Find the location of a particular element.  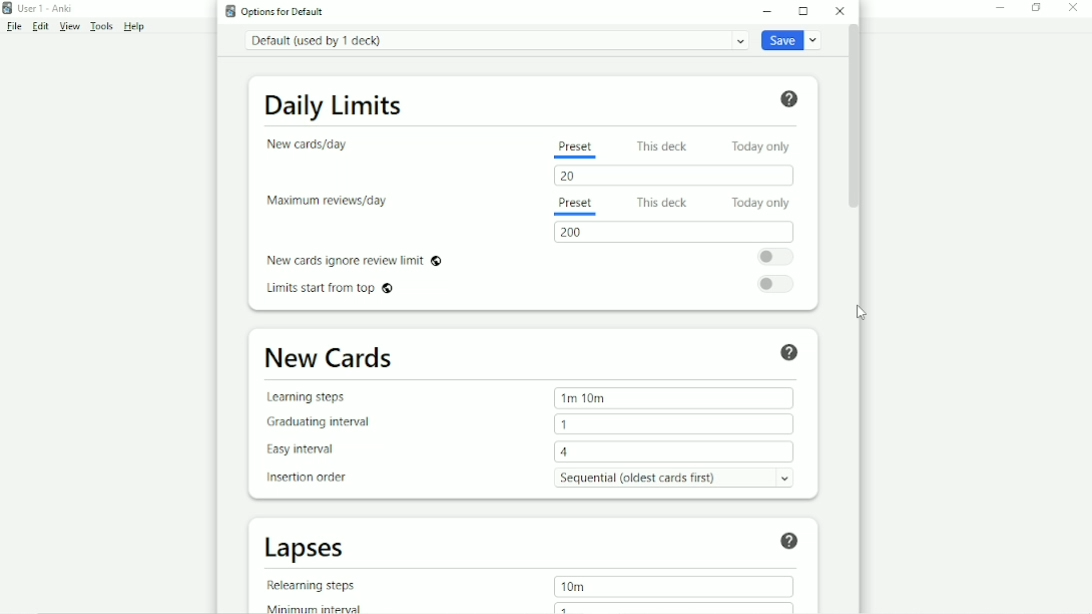

Restore down is located at coordinates (1037, 8).